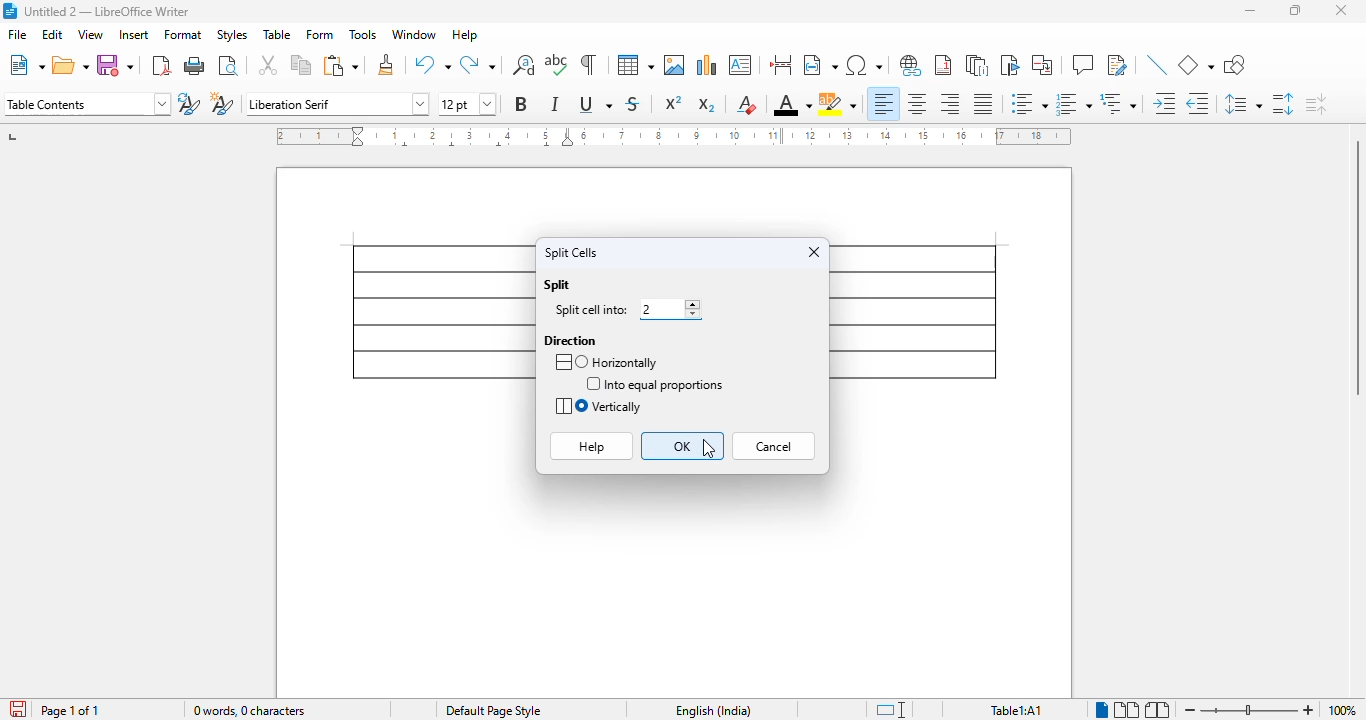  I want to click on subscript, so click(705, 105).